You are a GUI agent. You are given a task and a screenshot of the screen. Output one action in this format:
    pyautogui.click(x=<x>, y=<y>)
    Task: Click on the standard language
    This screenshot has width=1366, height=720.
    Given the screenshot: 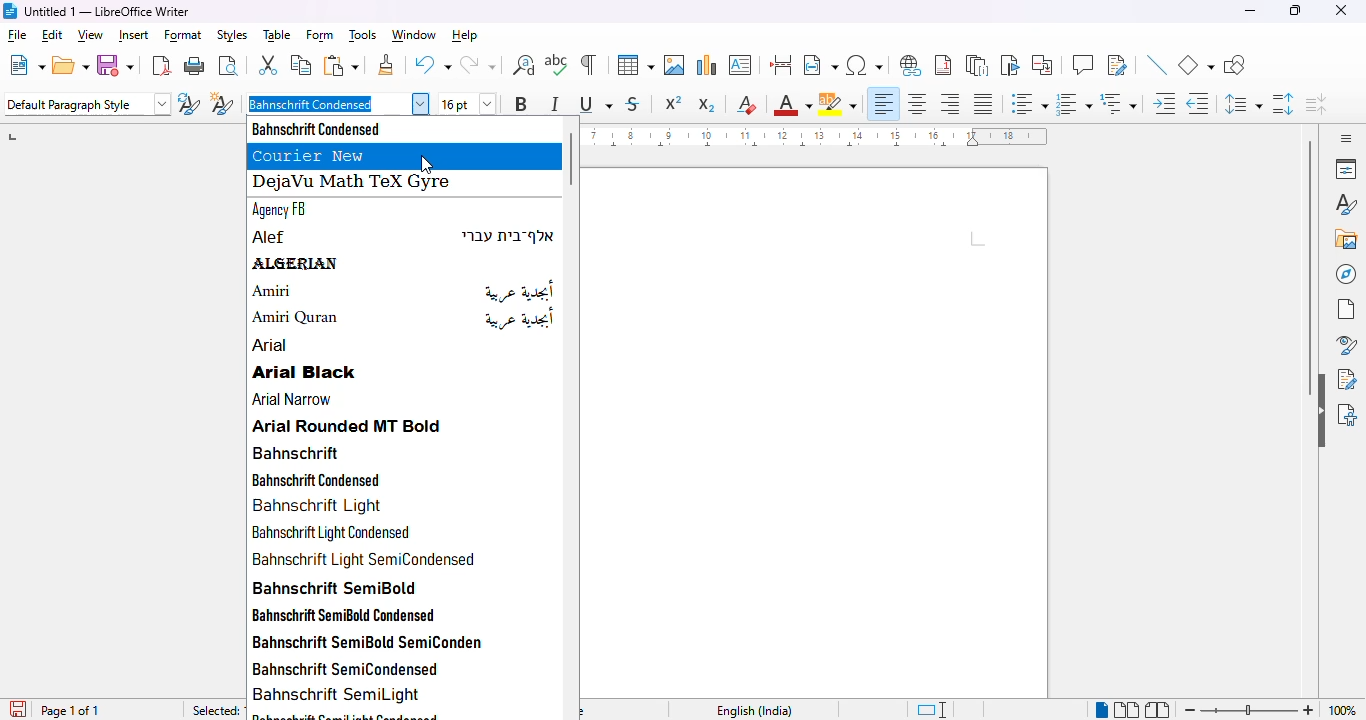 What is the action you would take?
    pyautogui.click(x=934, y=710)
    